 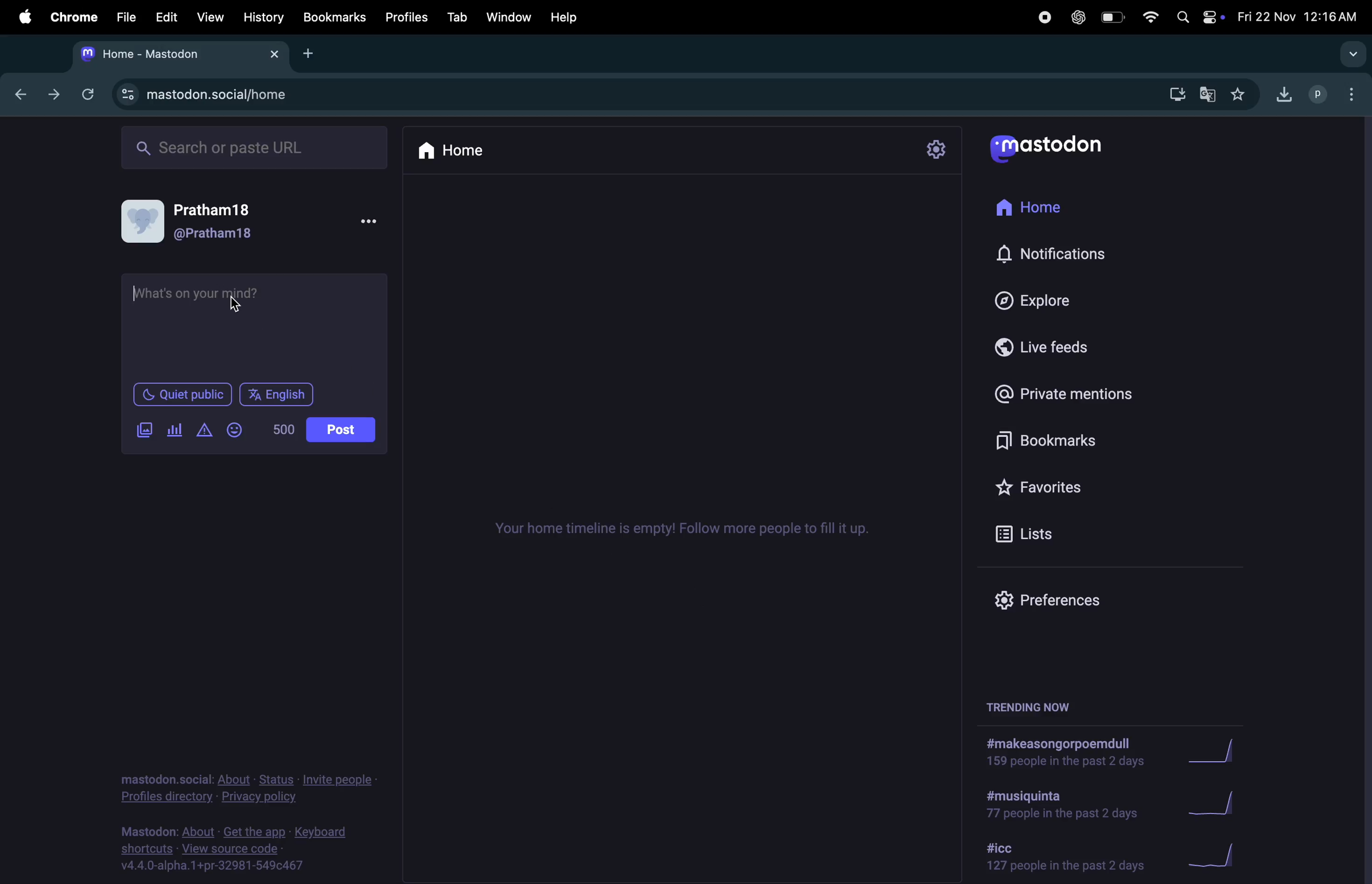 What do you see at coordinates (240, 850) in the screenshot?
I see `source code` at bounding box center [240, 850].